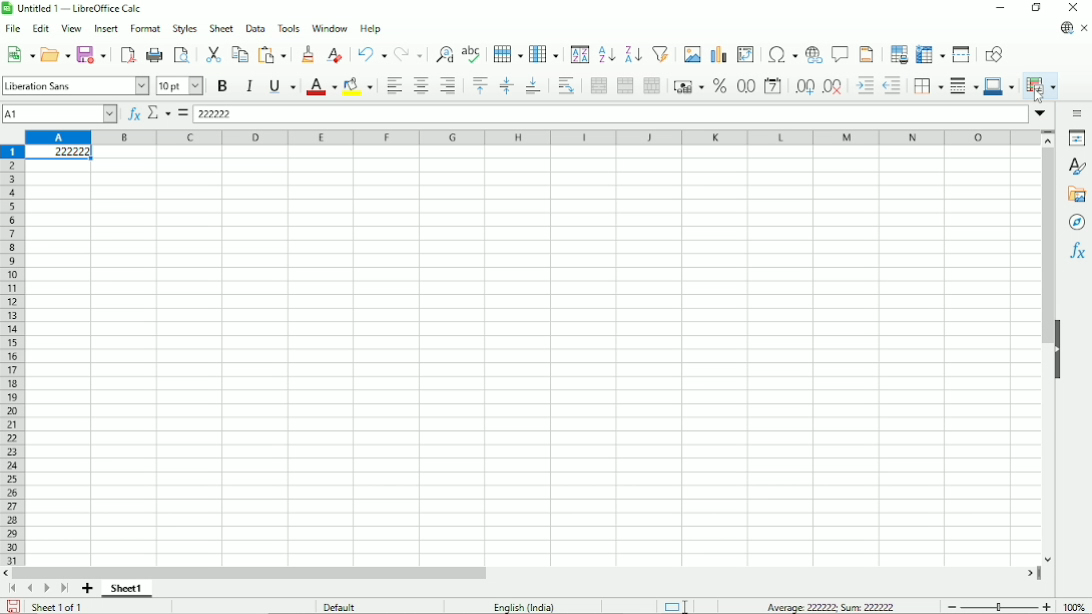 The image size is (1092, 614). I want to click on Save, so click(13, 606).